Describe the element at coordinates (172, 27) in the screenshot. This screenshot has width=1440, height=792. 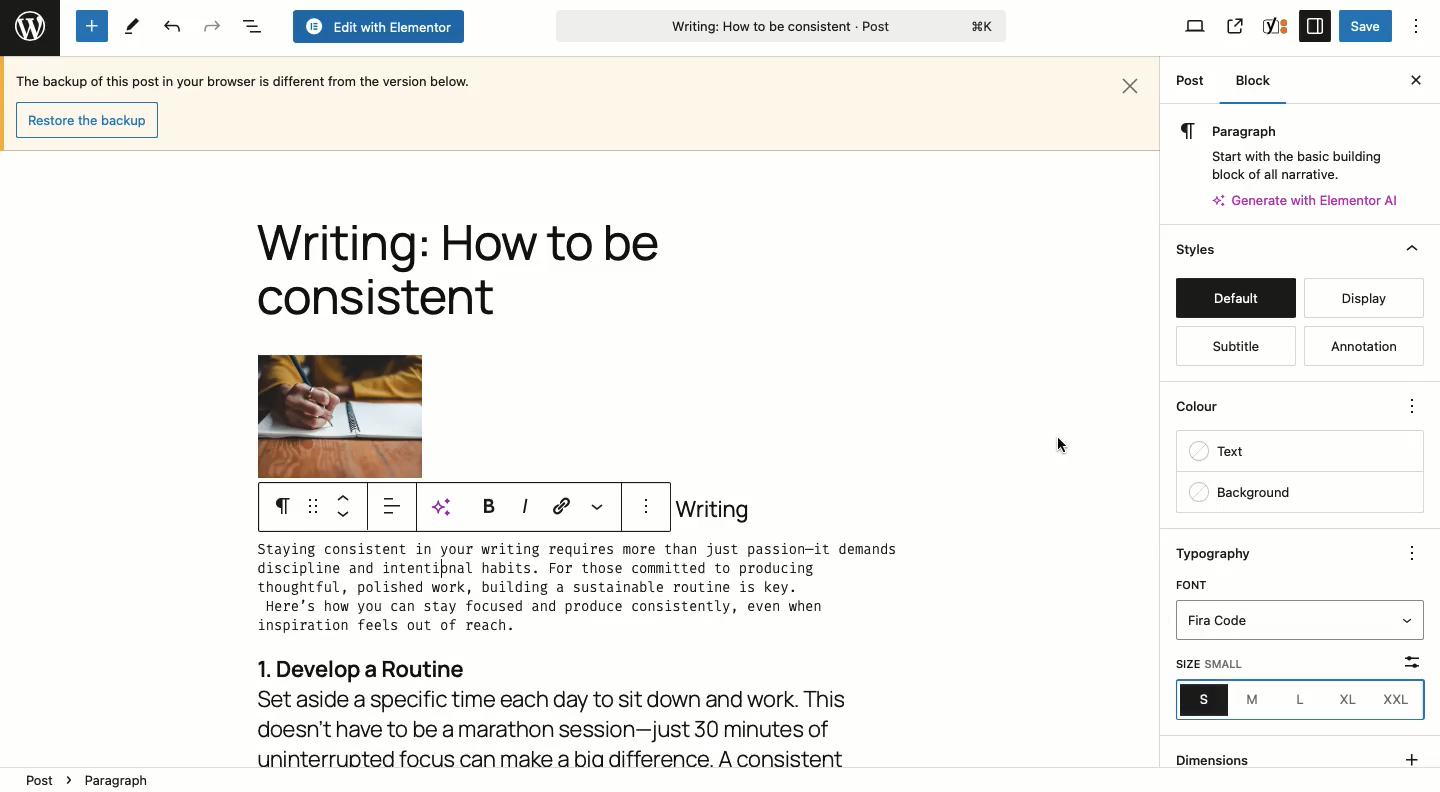
I see `Undo` at that location.